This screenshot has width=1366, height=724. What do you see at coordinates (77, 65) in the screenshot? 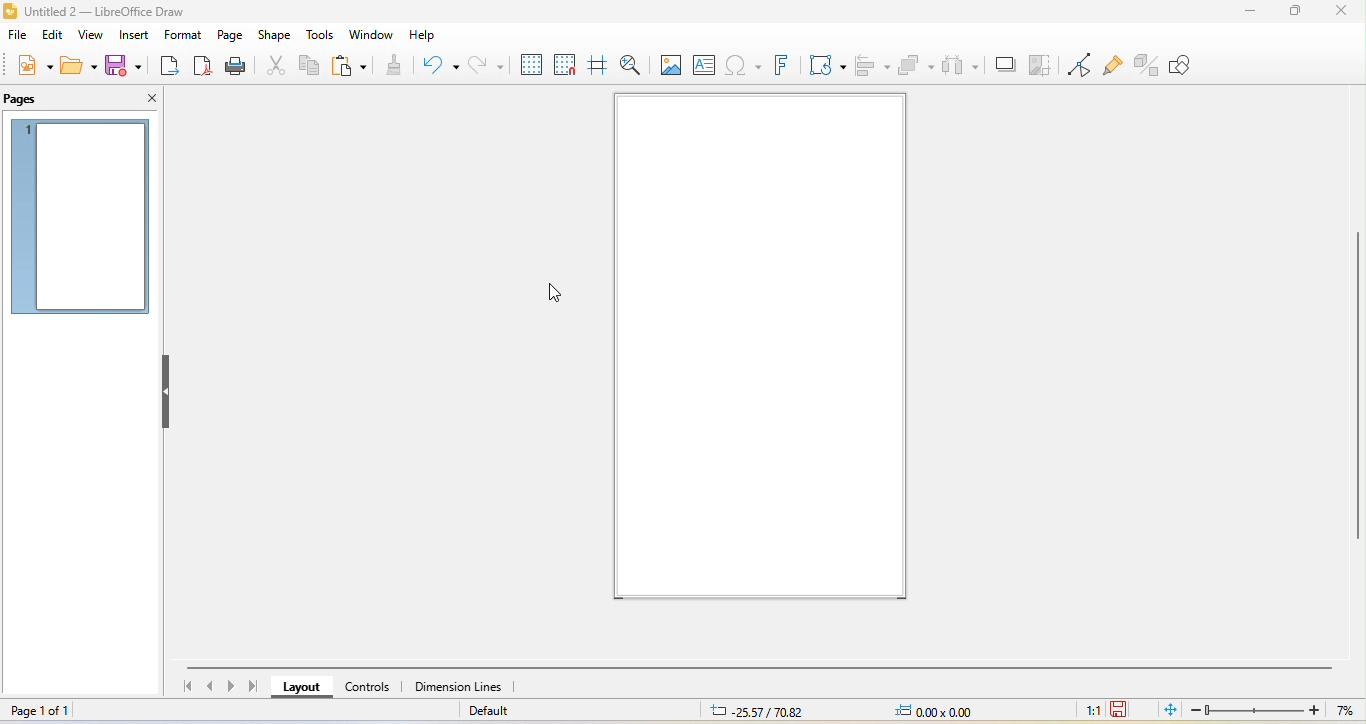
I see `open` at bounding box center [77, 65].